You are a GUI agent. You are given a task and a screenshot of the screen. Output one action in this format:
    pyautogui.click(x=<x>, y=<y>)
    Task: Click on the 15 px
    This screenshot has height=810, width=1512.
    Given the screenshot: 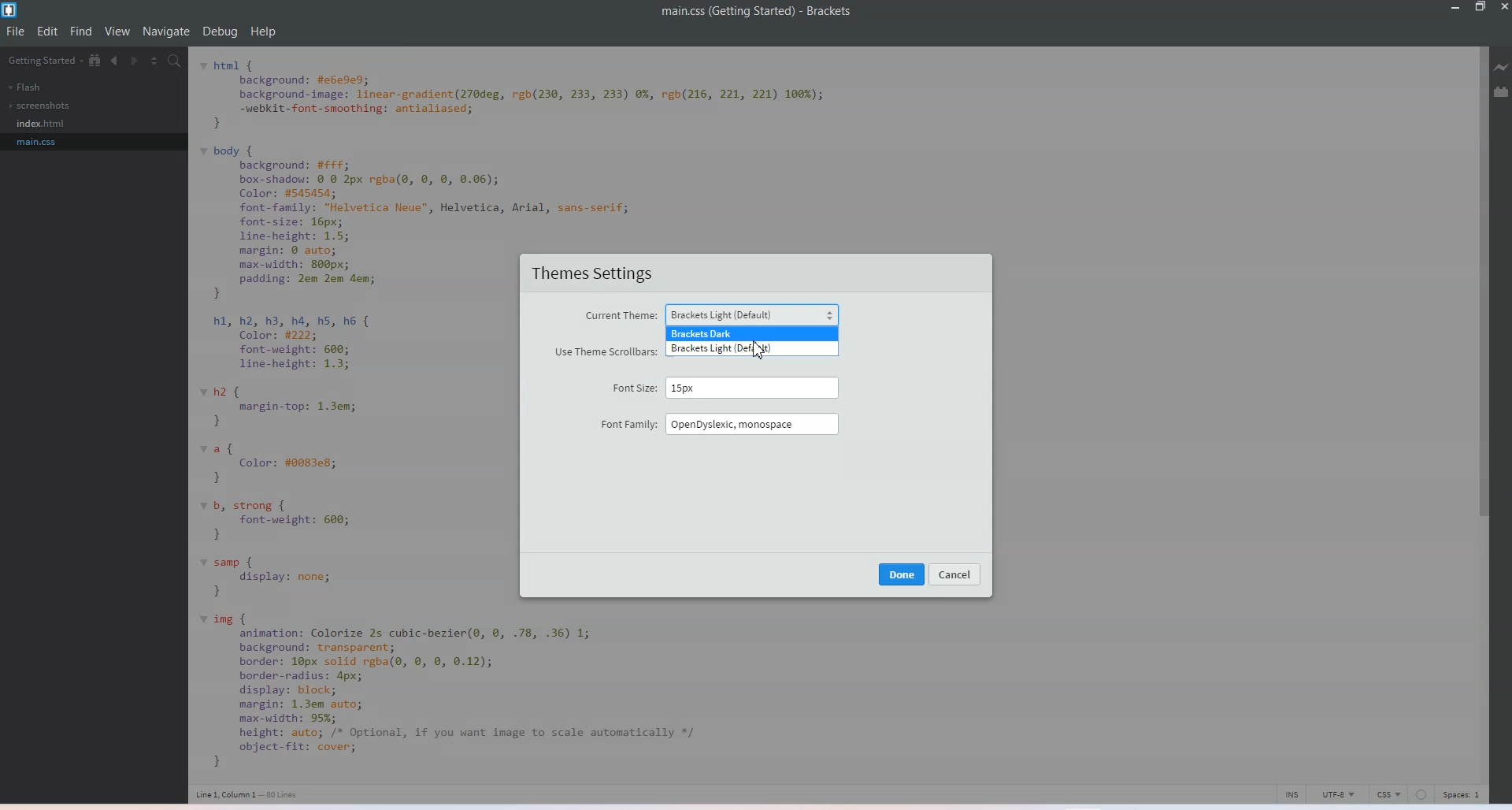 What is the action you would take?
    pyautogui.click(x=750, y=388)
    